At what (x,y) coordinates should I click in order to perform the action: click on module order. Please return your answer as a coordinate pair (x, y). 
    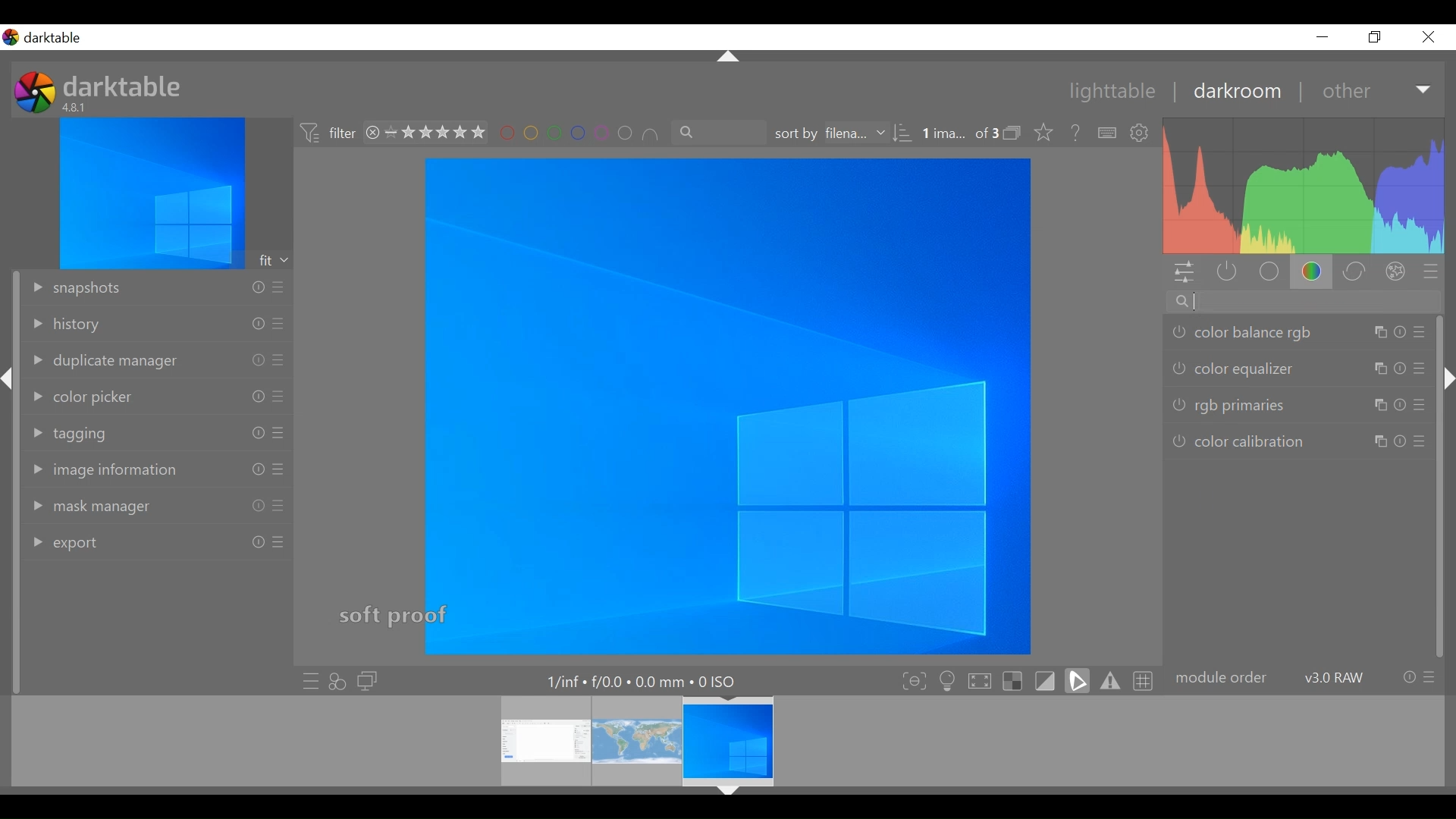
    Looking at the image, I should click on (1222, 679).